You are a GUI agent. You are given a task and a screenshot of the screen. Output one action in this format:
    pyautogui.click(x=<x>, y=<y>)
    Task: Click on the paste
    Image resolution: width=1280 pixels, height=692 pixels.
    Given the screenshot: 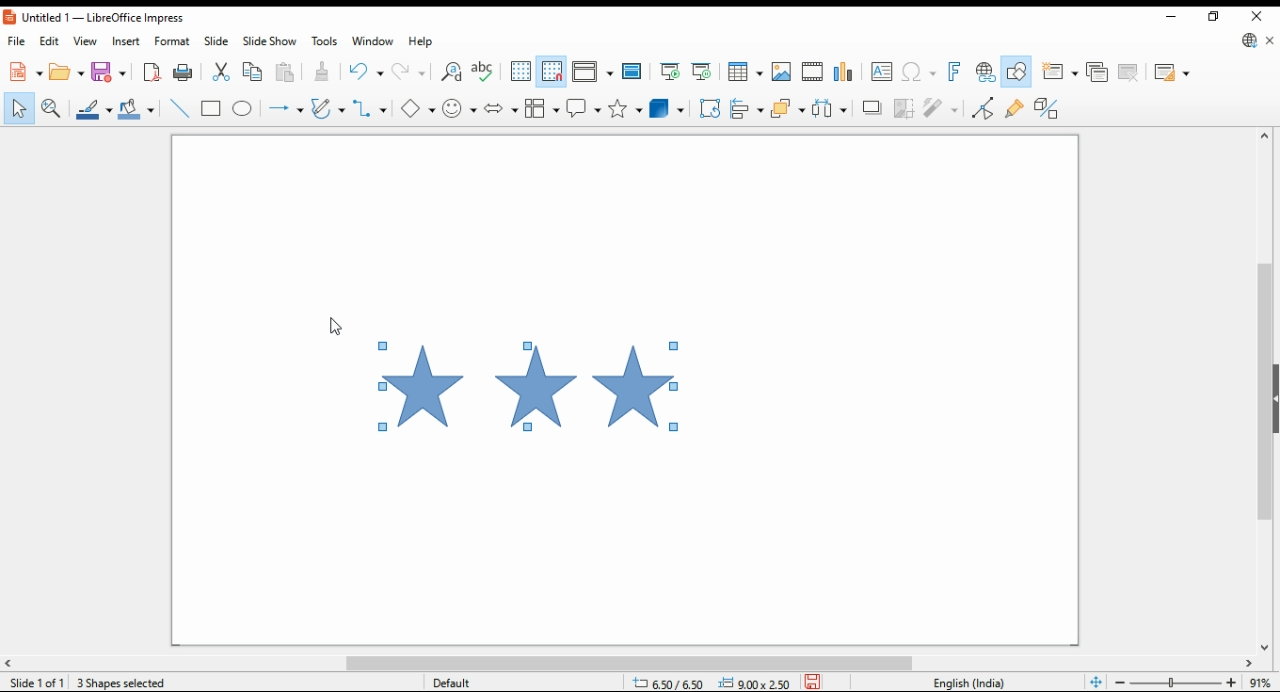 What is the action you would take?
    pyautogui.click(x=325, y=70)
    